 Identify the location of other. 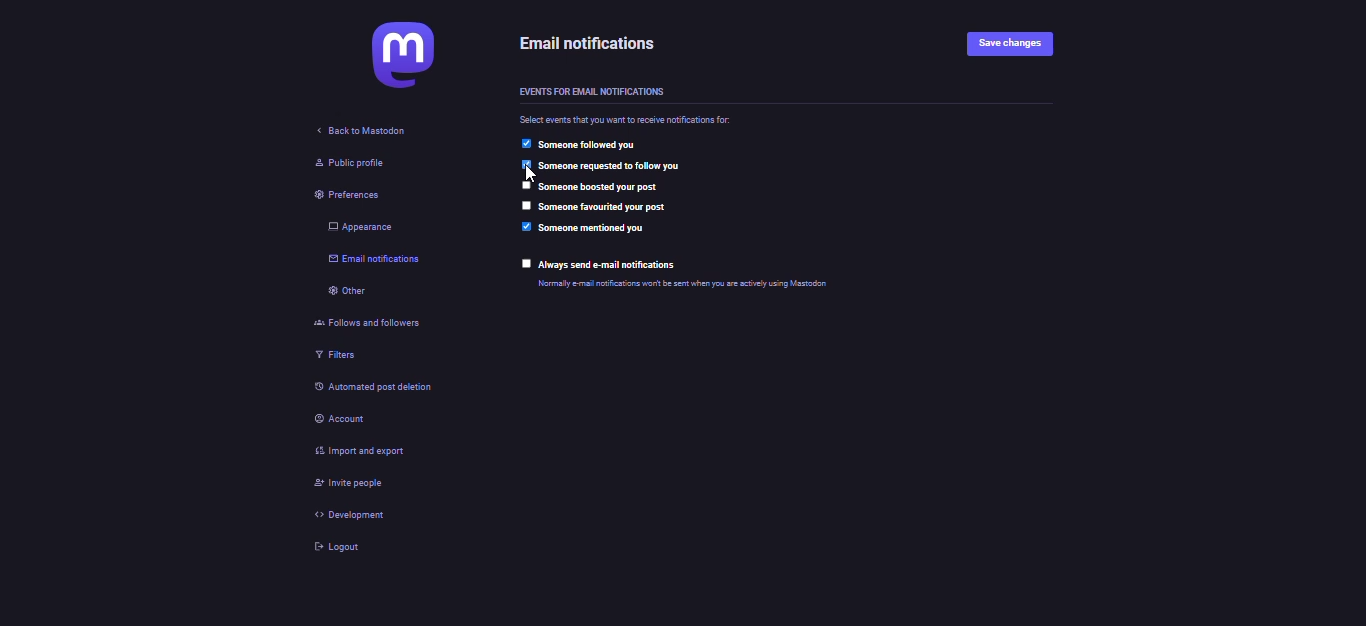
(339, 294).